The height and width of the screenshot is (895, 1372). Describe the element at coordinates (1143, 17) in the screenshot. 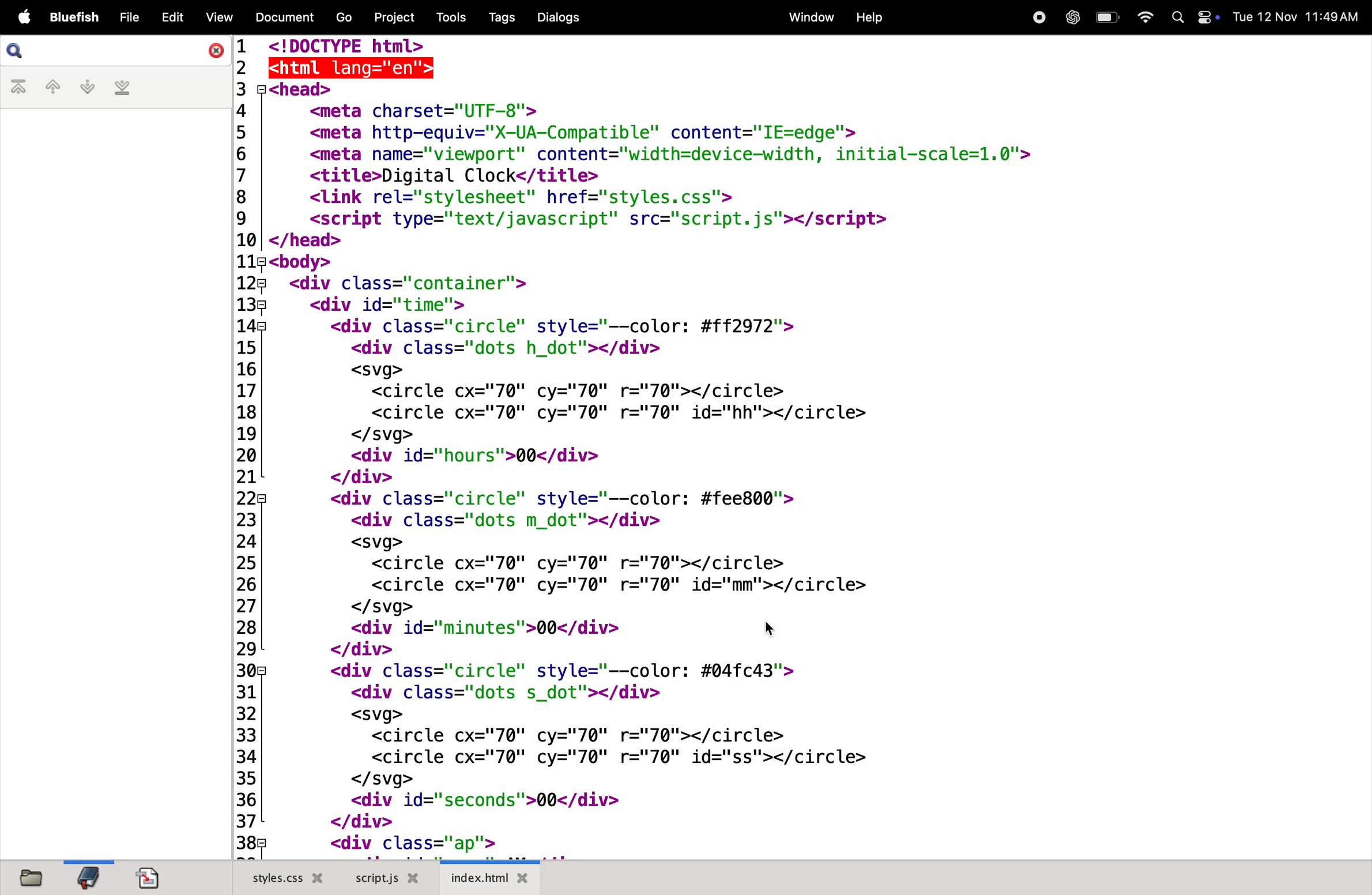

I see `wifi` at that location.